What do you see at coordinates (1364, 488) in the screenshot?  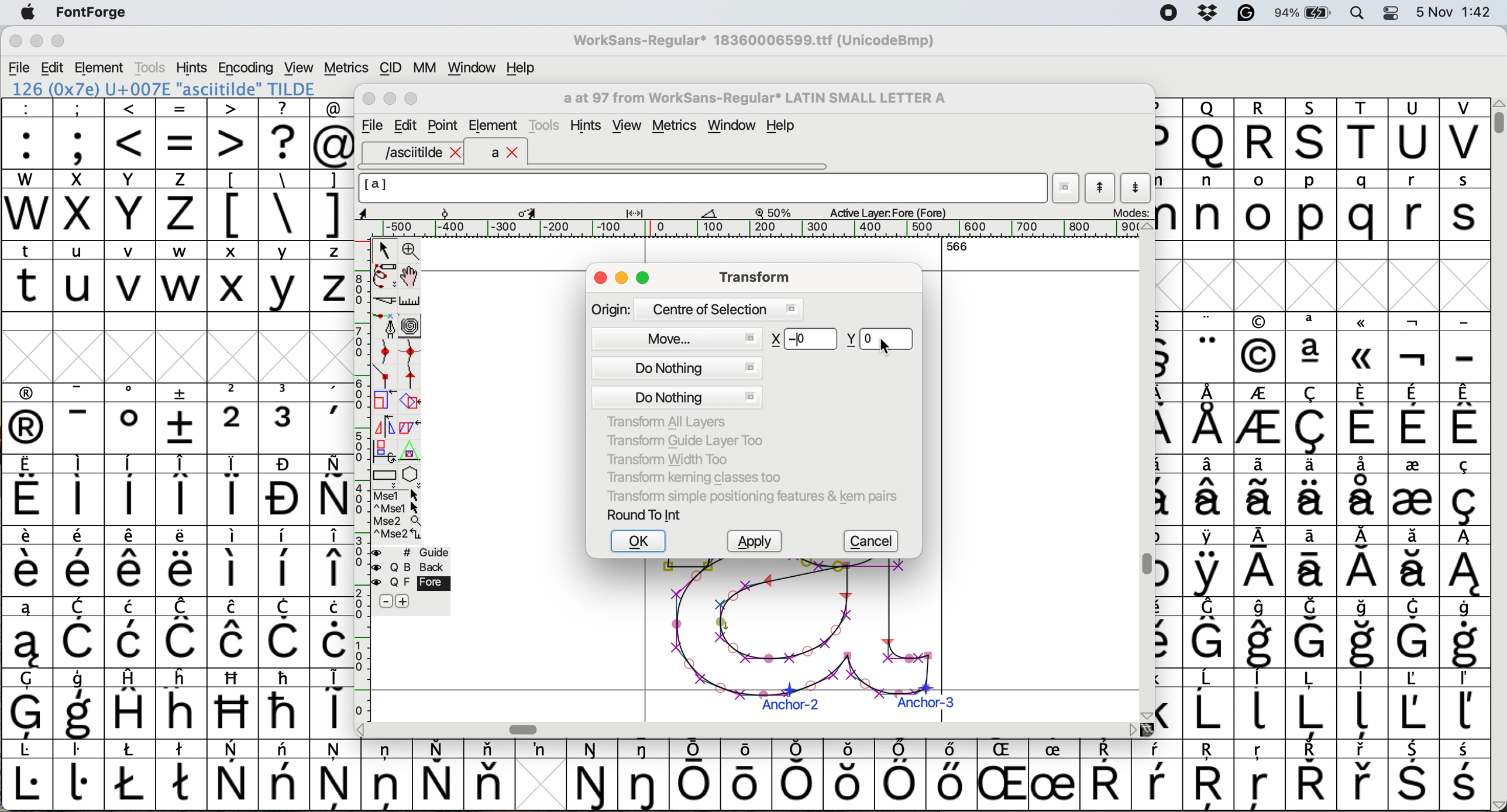 I see `symbol` at bounding box center [1364, 488].